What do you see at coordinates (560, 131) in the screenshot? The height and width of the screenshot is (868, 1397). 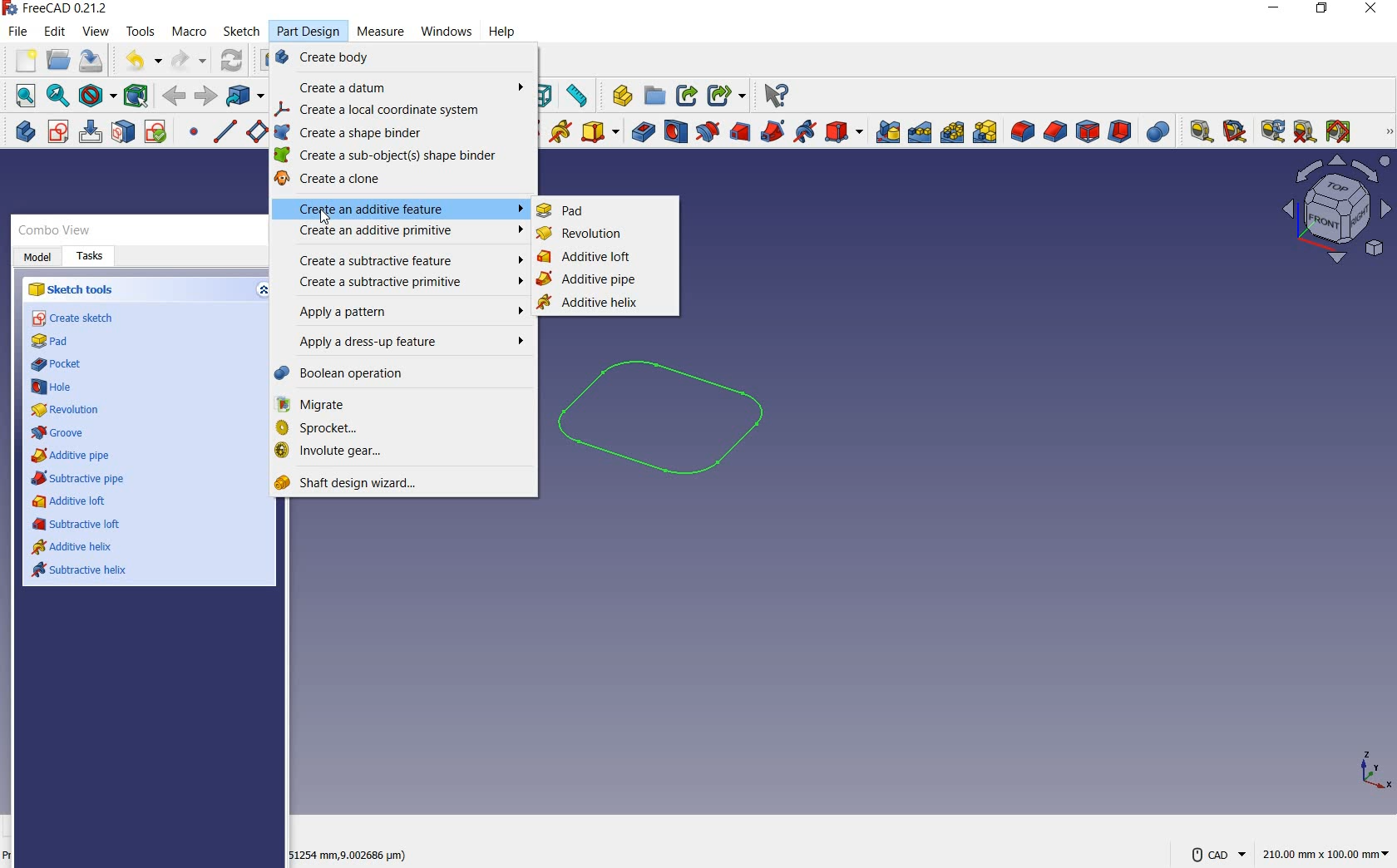 I see `additive helix` at bounding box center [560, 131].